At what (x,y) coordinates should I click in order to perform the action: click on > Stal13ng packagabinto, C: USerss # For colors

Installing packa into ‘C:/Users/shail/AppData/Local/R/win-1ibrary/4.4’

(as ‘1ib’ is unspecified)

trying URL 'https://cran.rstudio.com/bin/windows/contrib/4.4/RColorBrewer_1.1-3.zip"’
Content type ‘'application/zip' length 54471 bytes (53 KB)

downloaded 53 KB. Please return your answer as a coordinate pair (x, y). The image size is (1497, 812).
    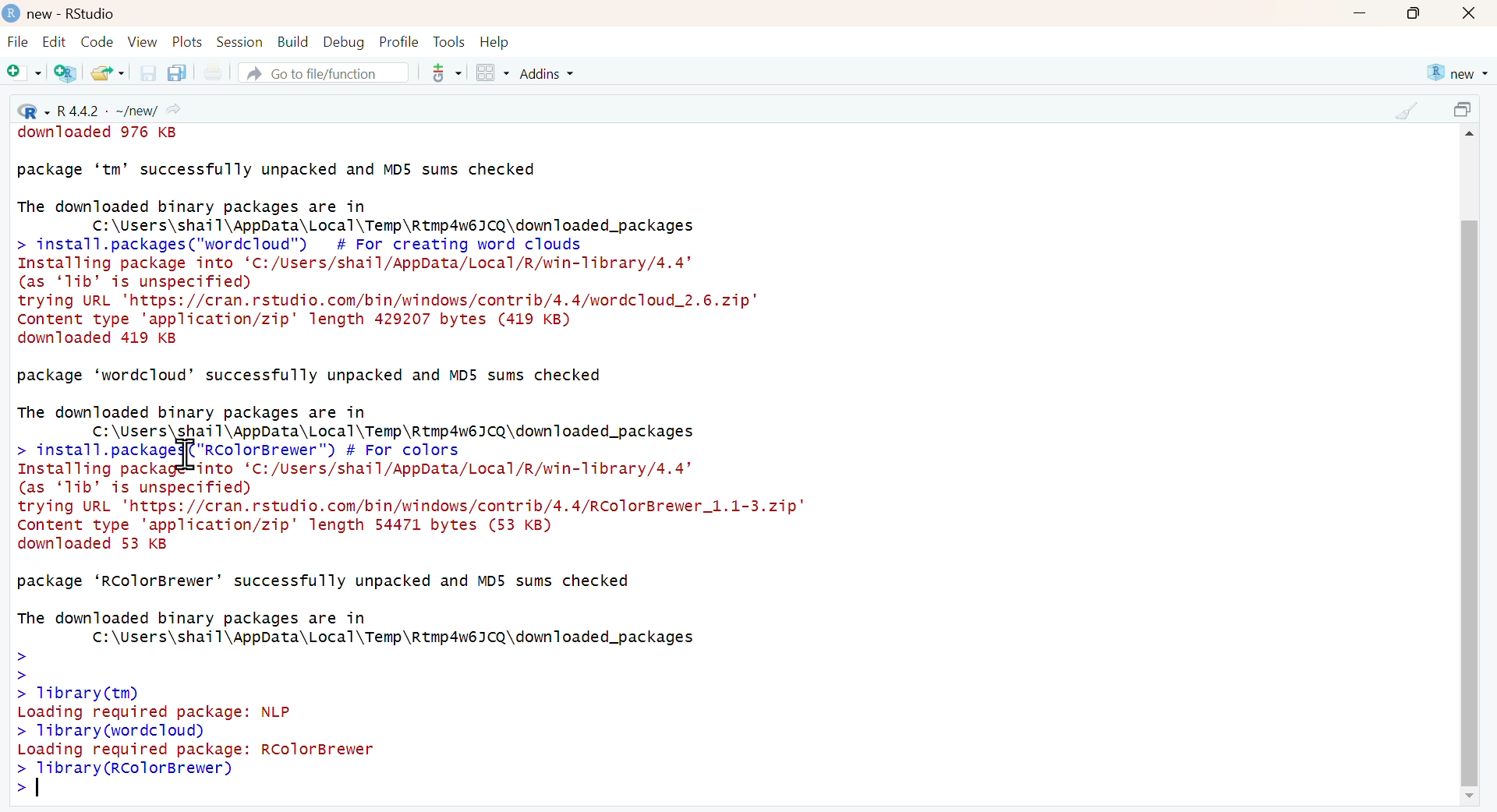
    Looking at the image, I should click on (414, 500).